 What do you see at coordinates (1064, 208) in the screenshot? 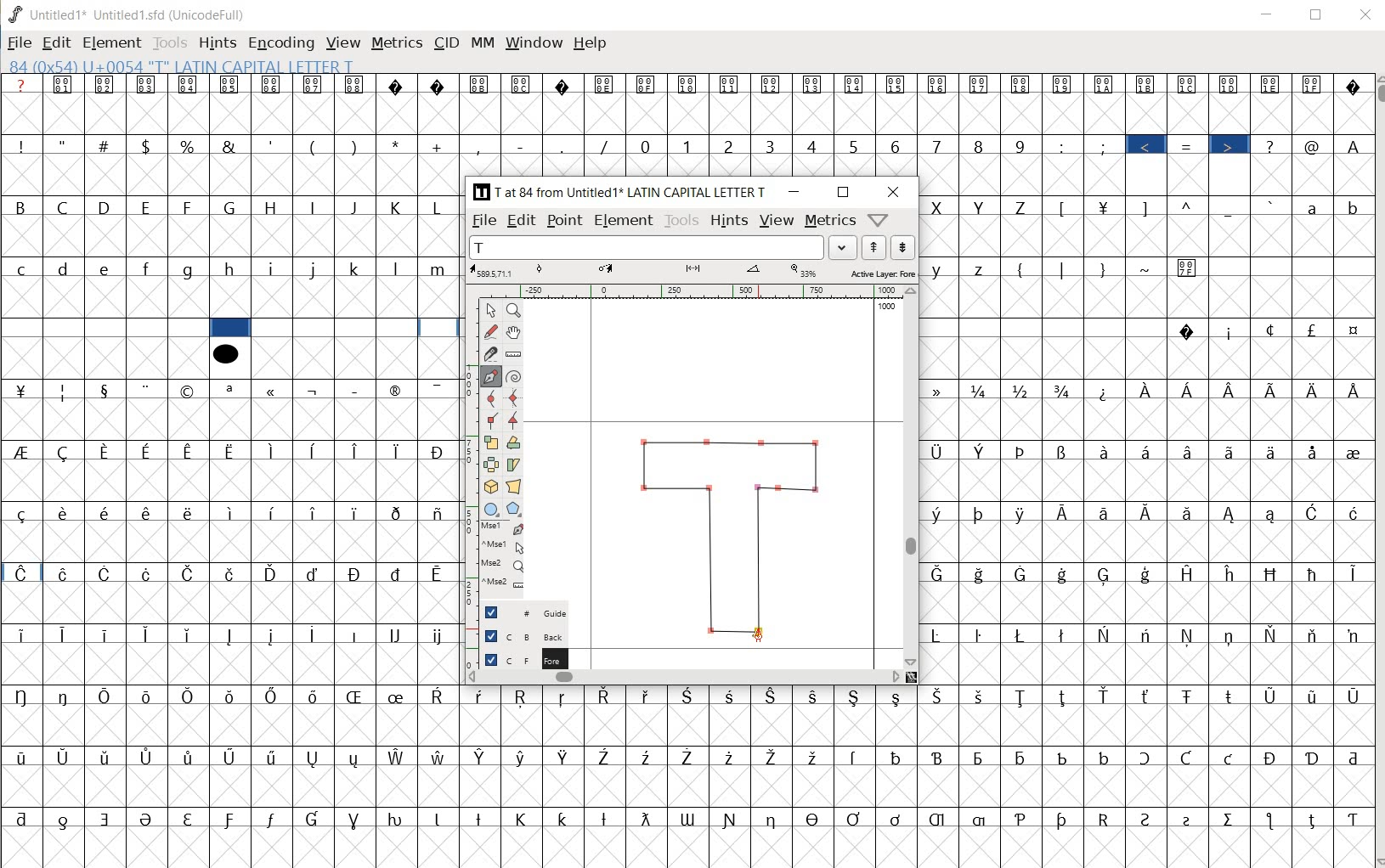
I see `[` at bounding box center [1064, 208].